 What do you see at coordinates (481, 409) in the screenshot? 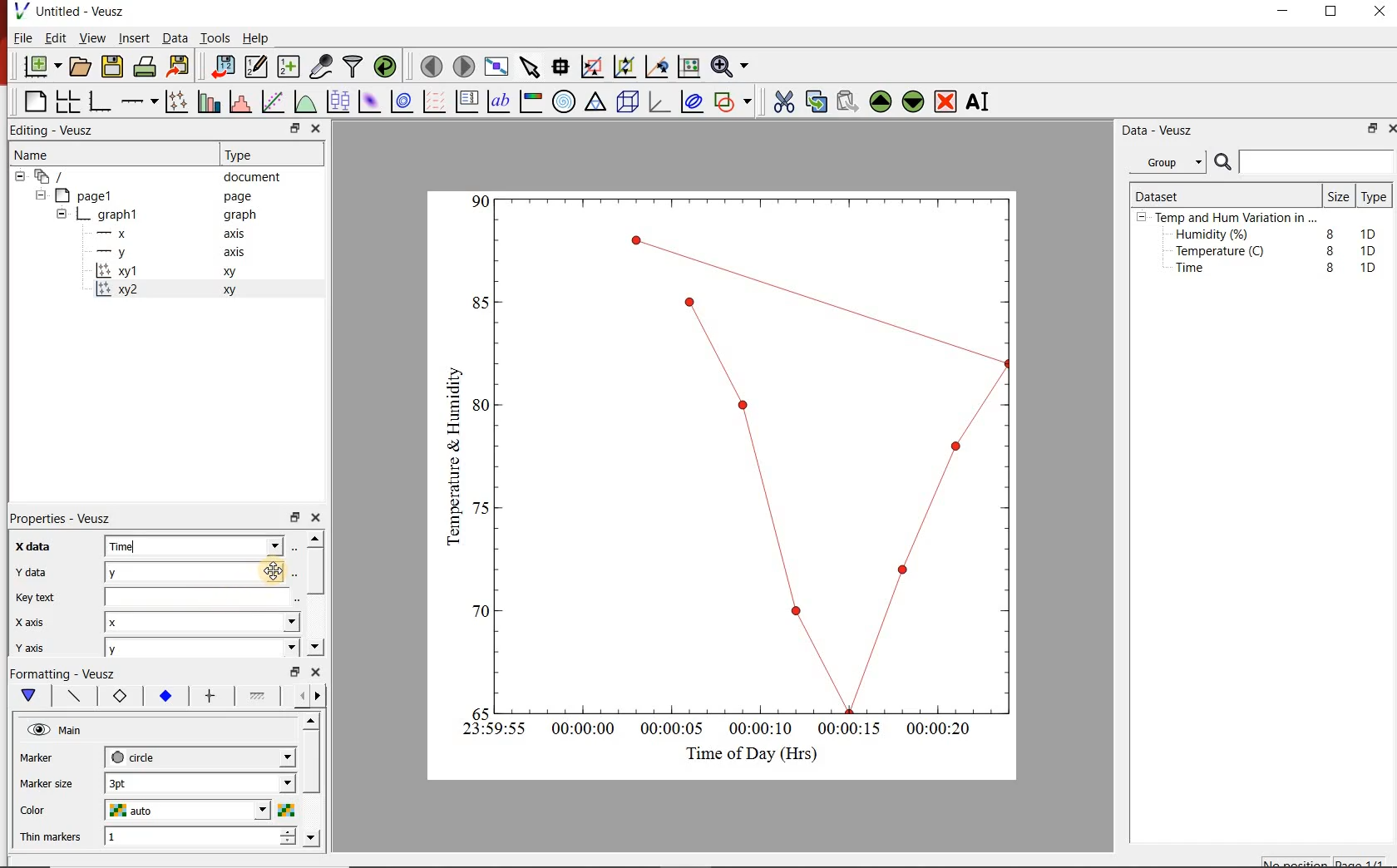
I see `0.6` at bounding box center [481, 409].